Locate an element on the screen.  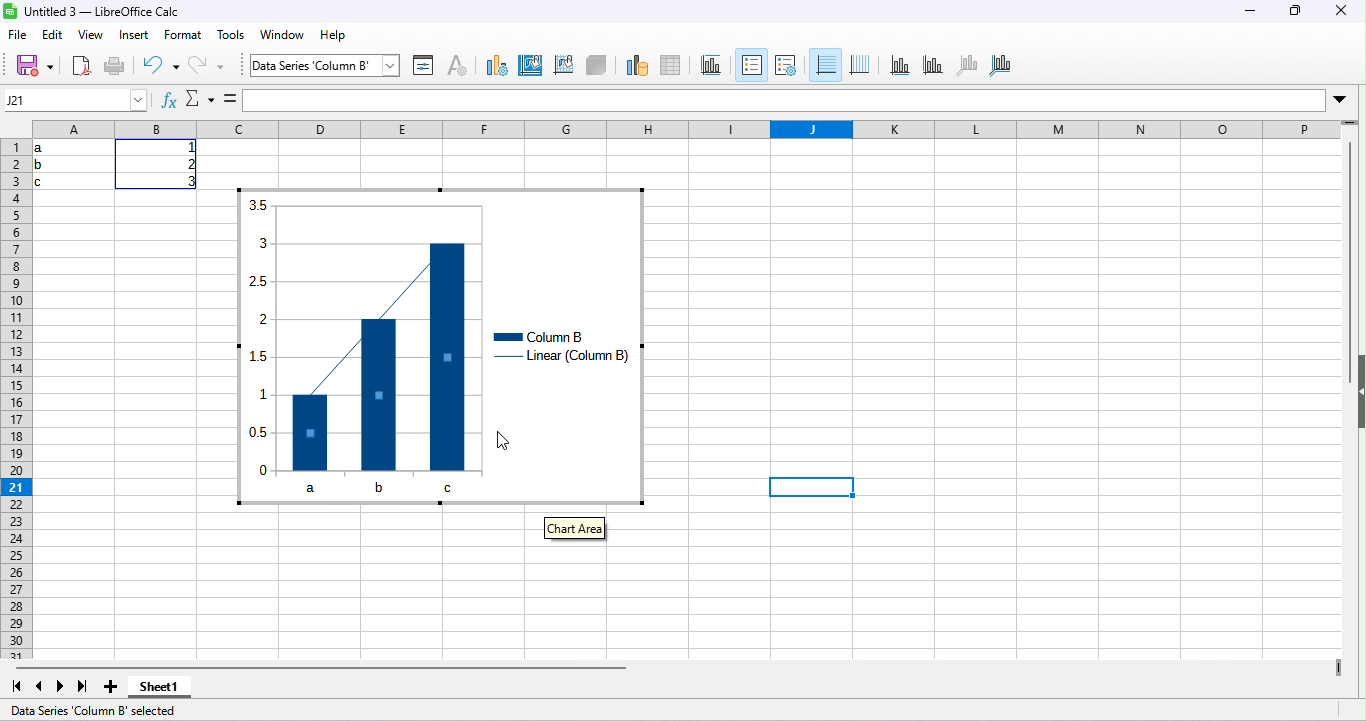
redo is located at coordinates (216, 66).